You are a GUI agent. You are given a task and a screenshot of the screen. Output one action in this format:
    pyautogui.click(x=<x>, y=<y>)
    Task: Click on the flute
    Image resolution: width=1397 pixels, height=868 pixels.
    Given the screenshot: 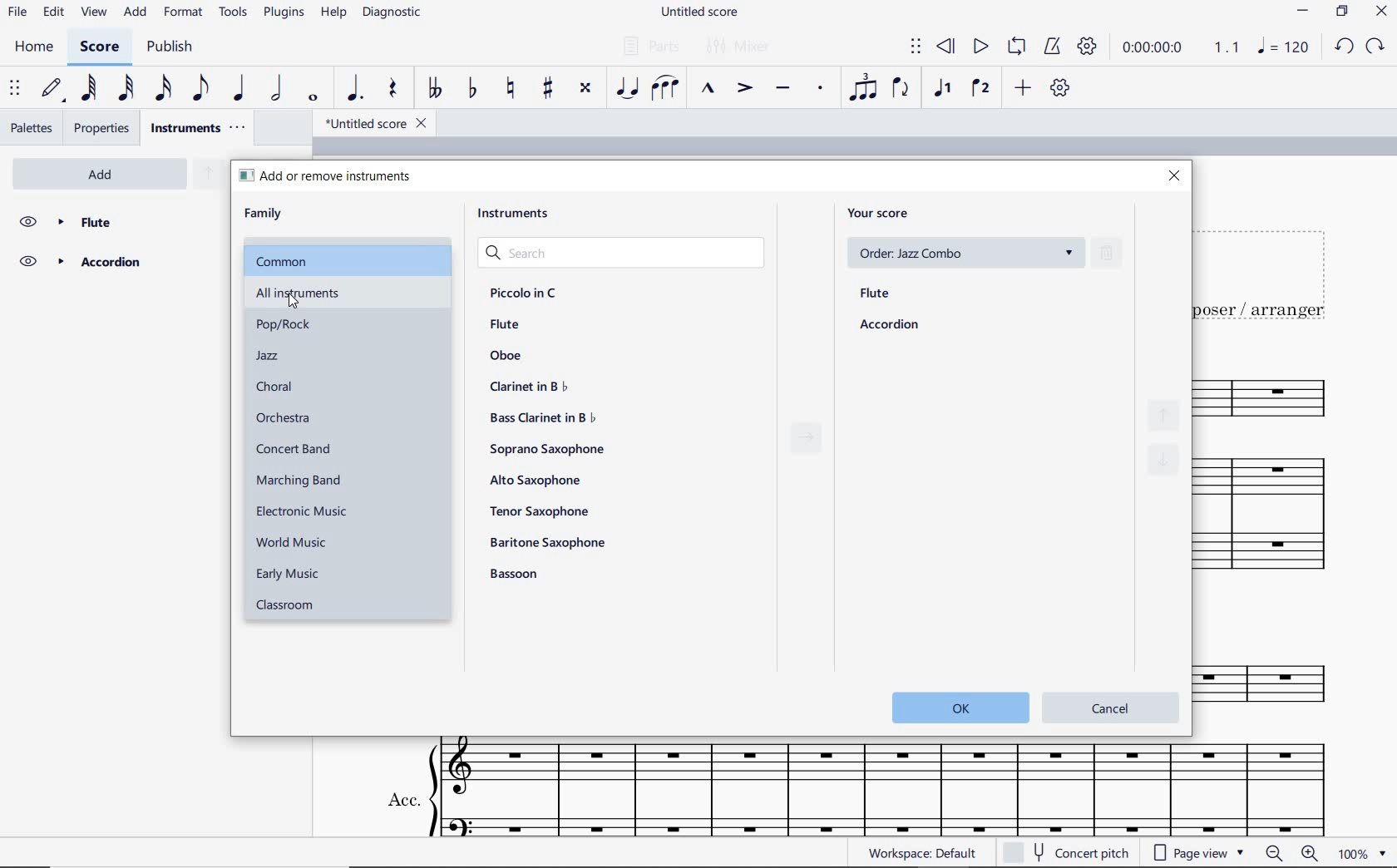 What is the action you would take?
    pyautogui.click(x=116, y=220)
    